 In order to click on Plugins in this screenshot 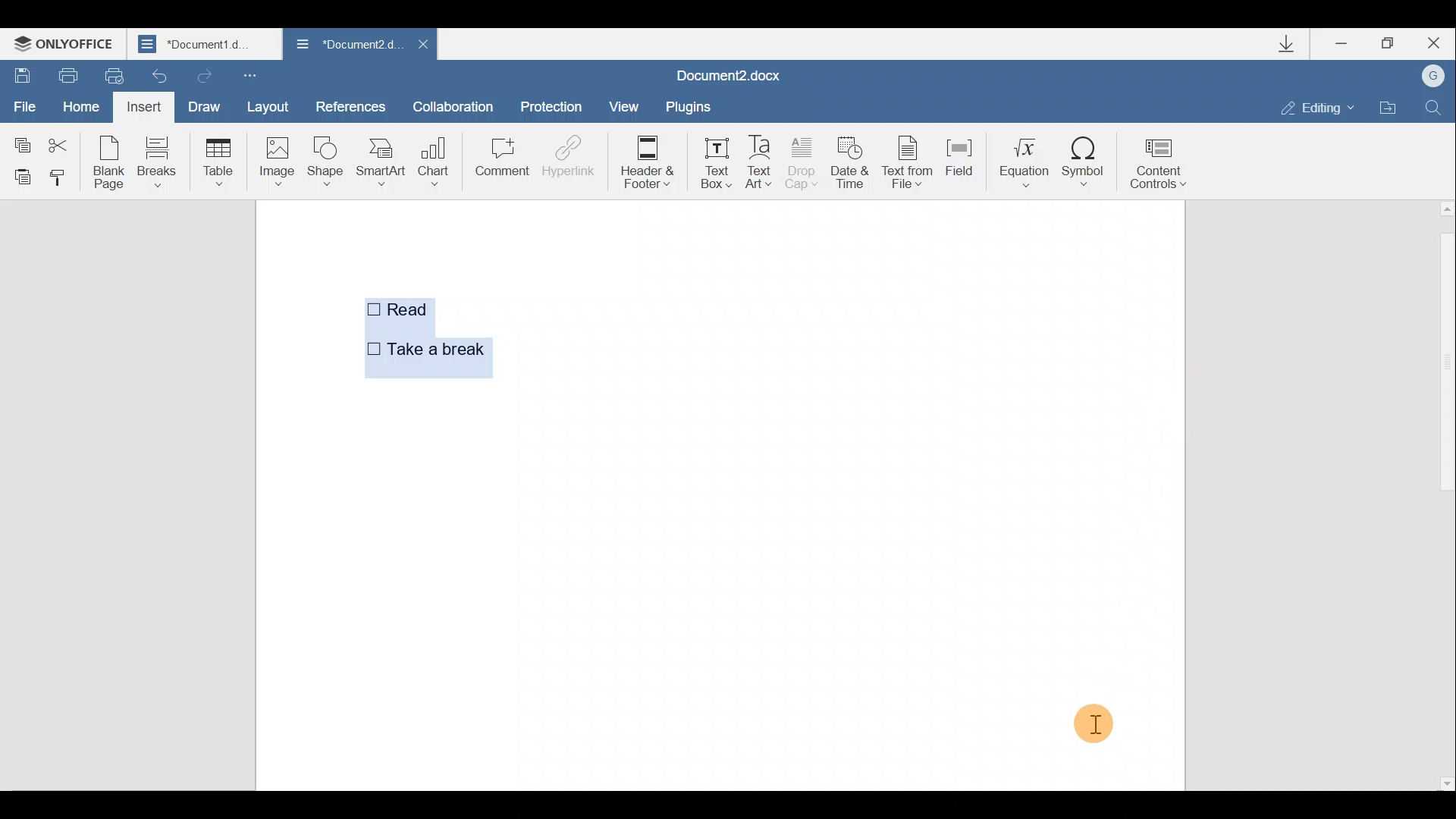, I will do `click(686, 106)`.